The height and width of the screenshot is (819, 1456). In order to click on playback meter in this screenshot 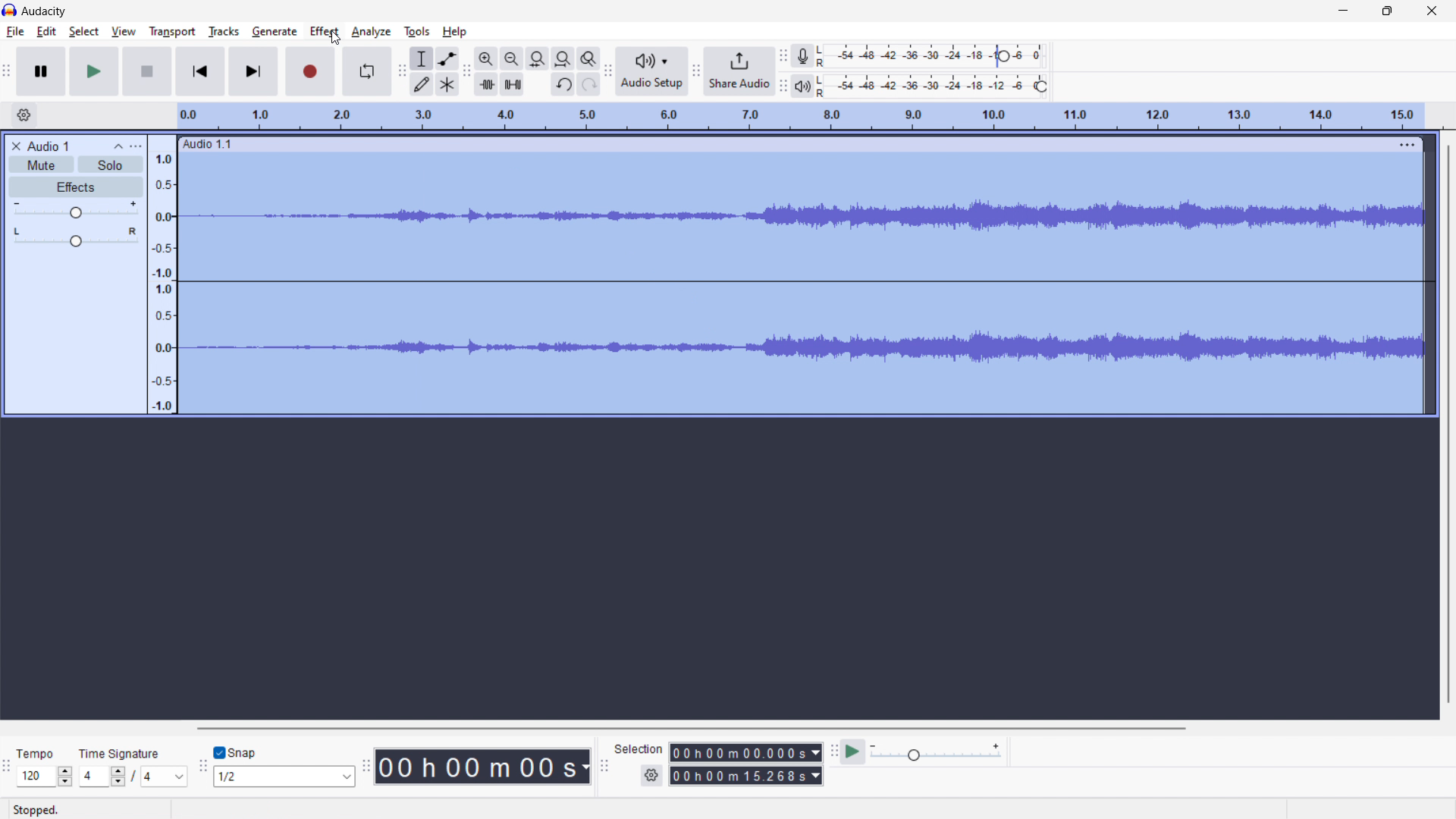, I will do `click(937, 752)`.